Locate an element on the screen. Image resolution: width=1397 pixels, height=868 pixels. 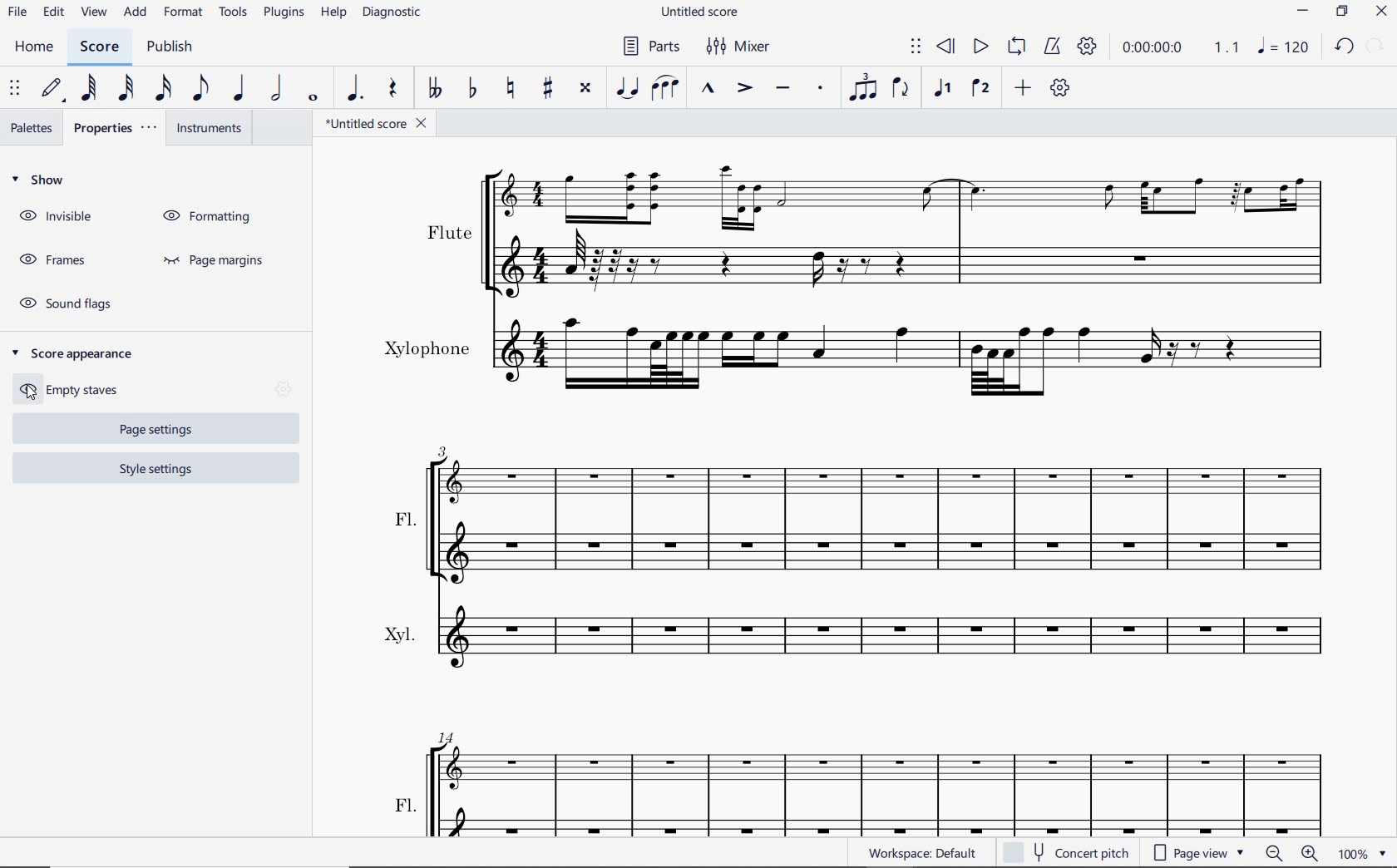
METRONOME is located at coordinates (1054, 48).